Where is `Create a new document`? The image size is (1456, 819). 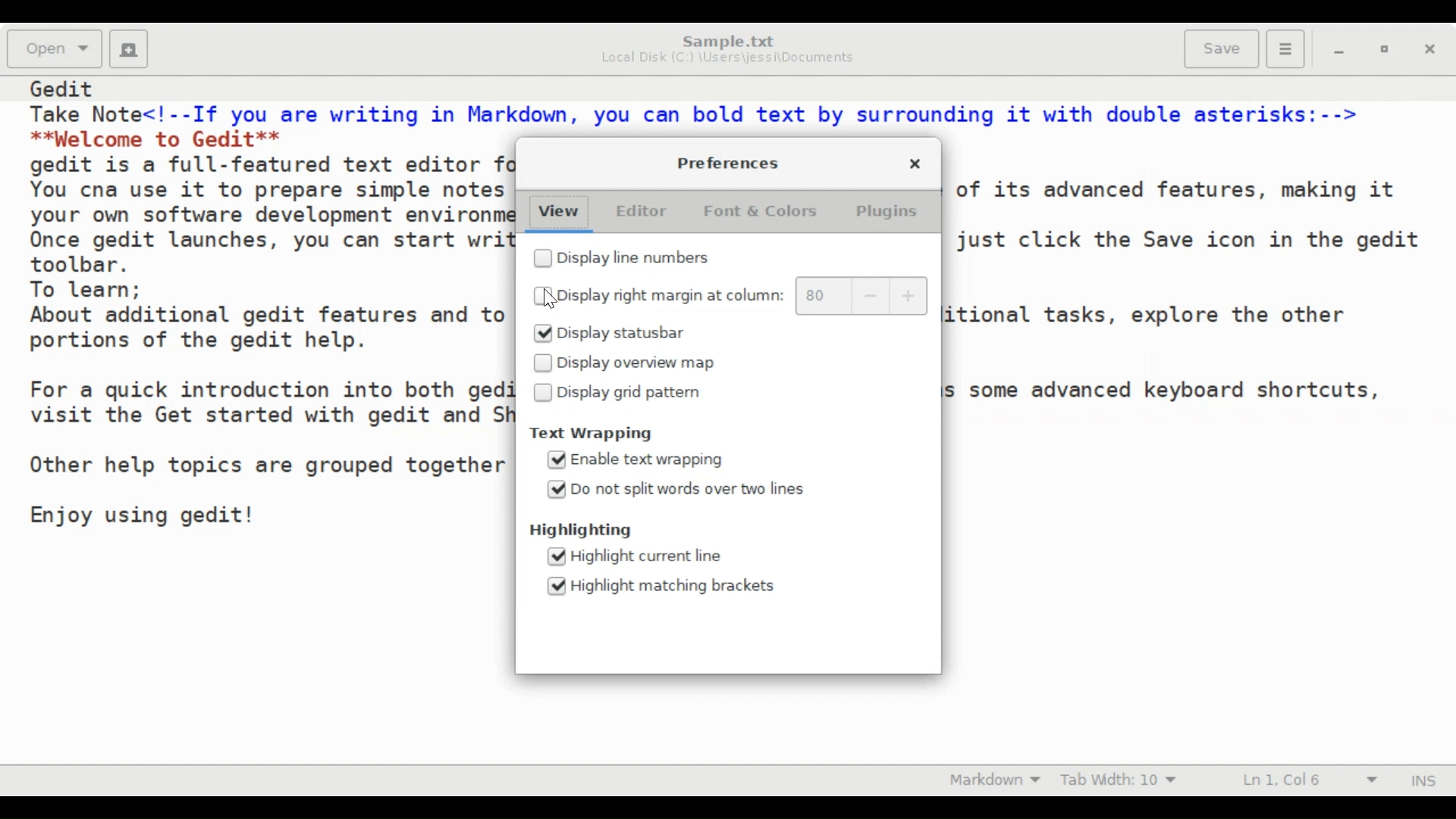 Create a new document is located at coordinates (130, 48).